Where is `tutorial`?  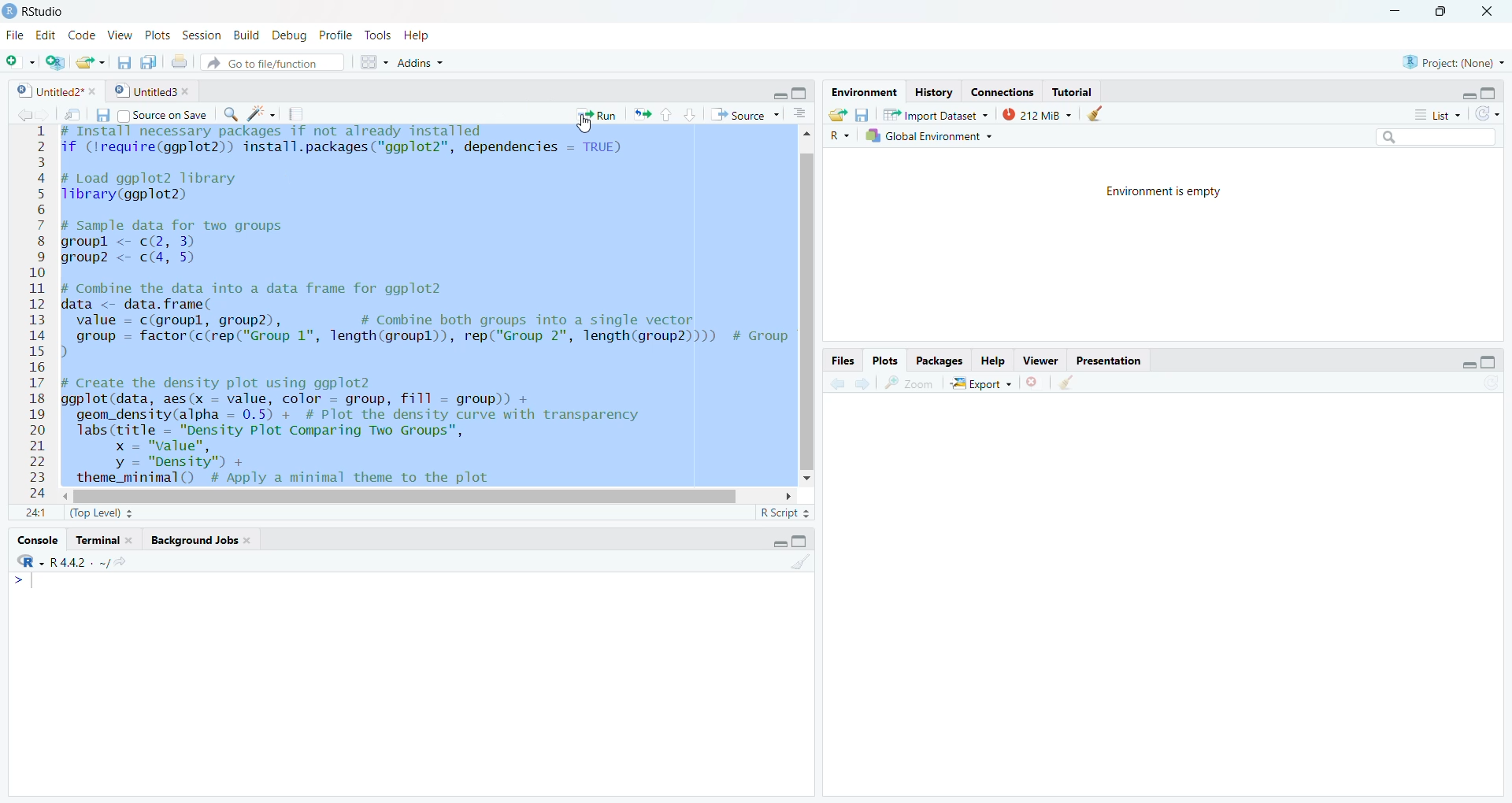 tutorial is located at coordinates (1074, 90).